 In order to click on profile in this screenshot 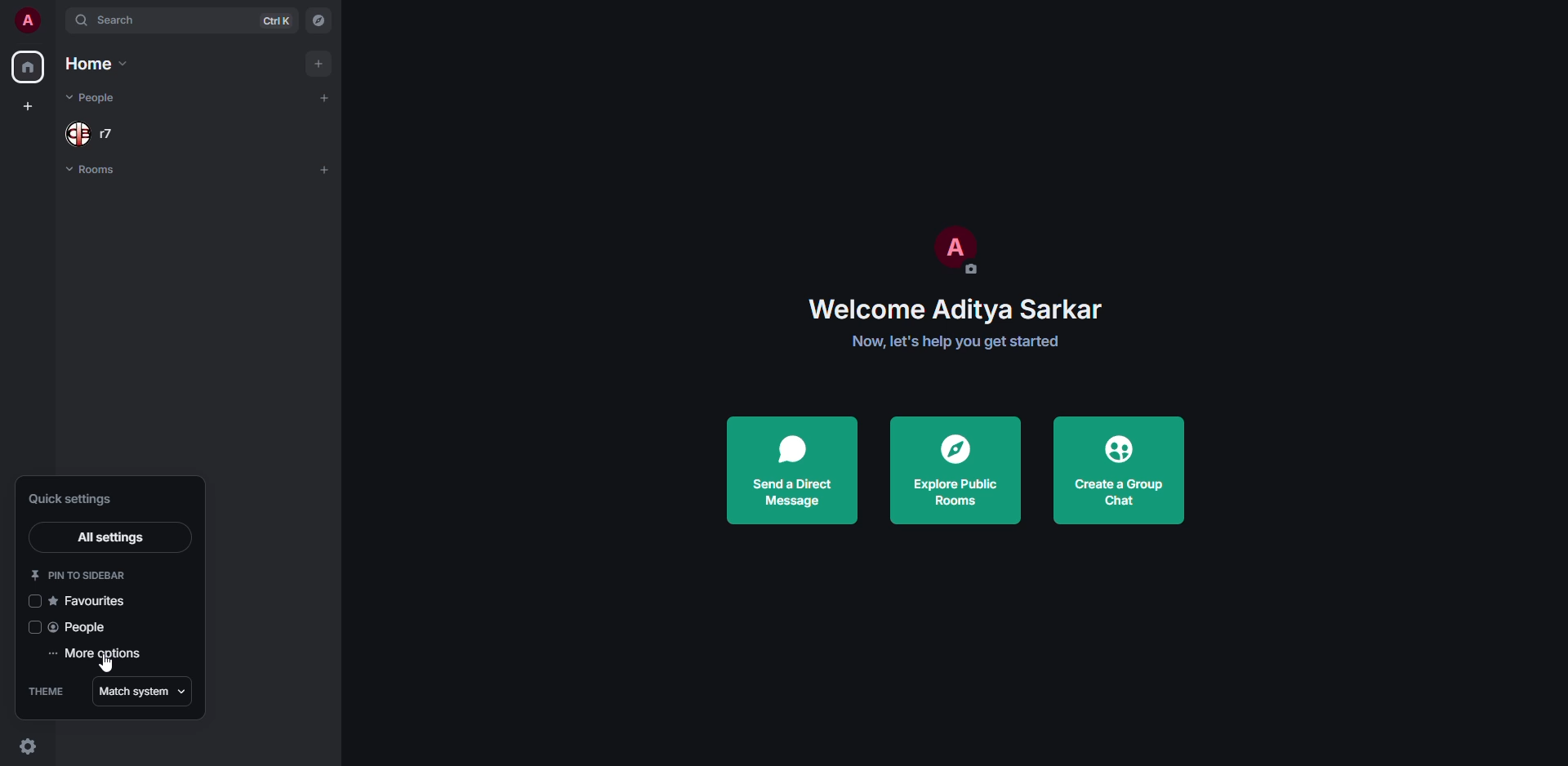, I will do `click(28, 19)`.